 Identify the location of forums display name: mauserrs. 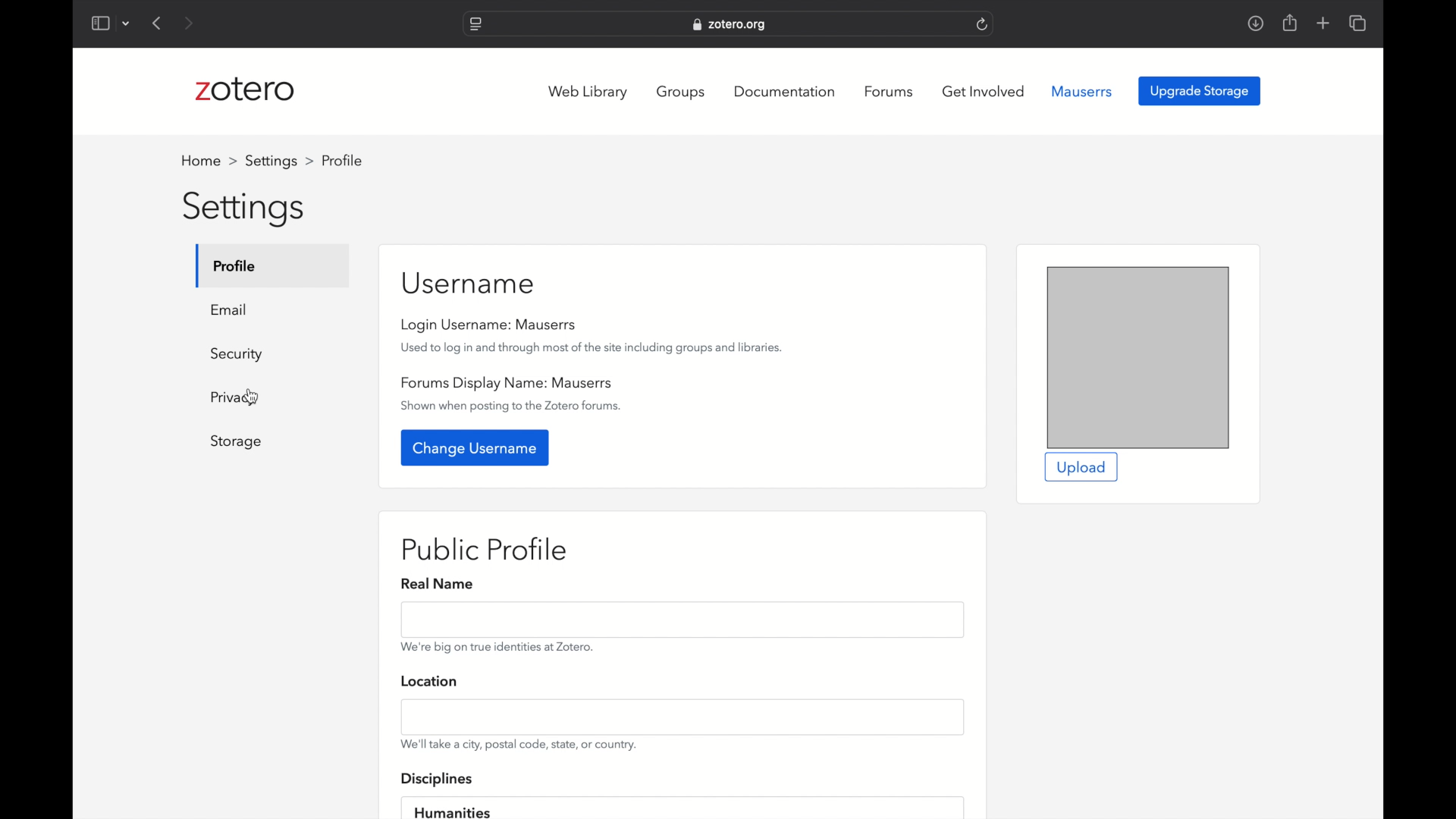
(507, 383).